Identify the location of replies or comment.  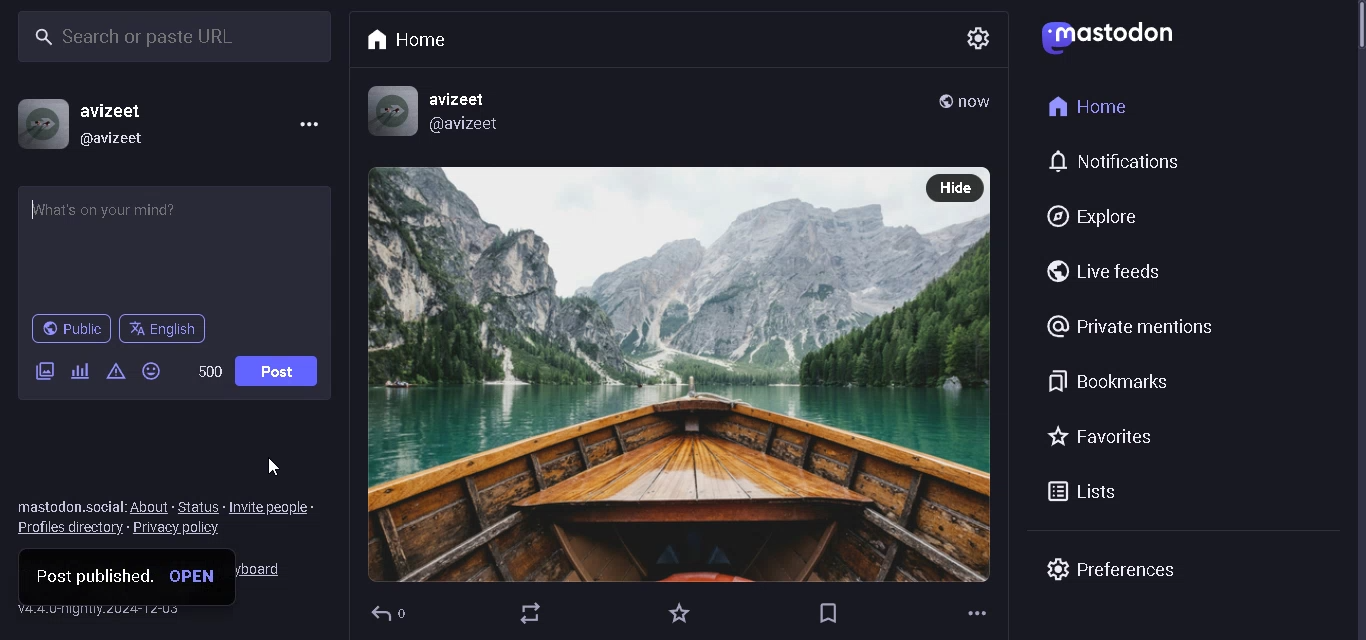
(394, 617).